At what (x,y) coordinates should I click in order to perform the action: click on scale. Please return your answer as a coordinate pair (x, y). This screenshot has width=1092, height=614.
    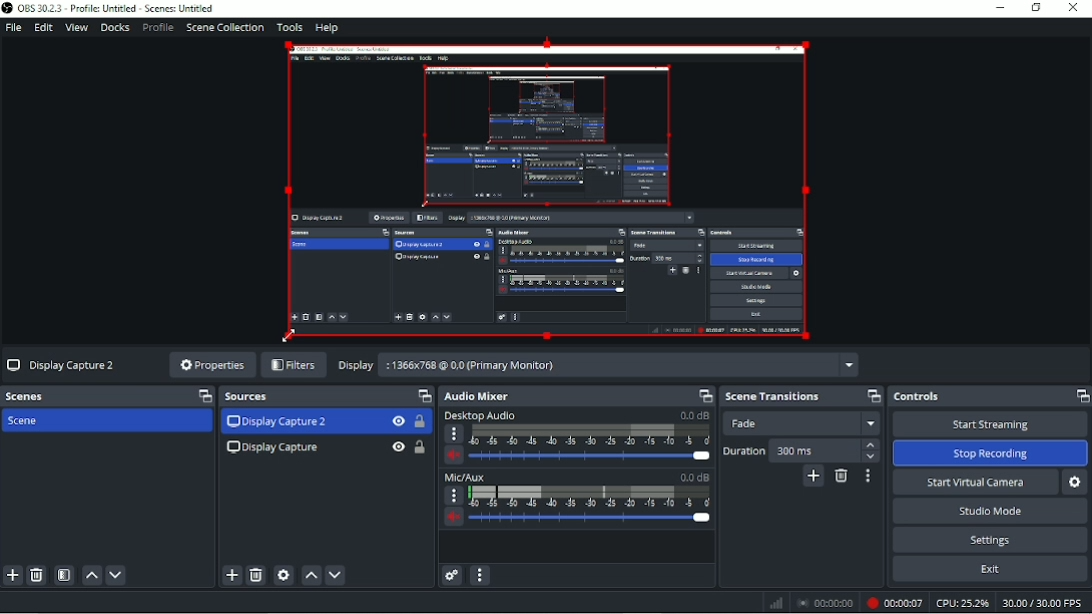
    Looking at the image, I should click on (589, 498).